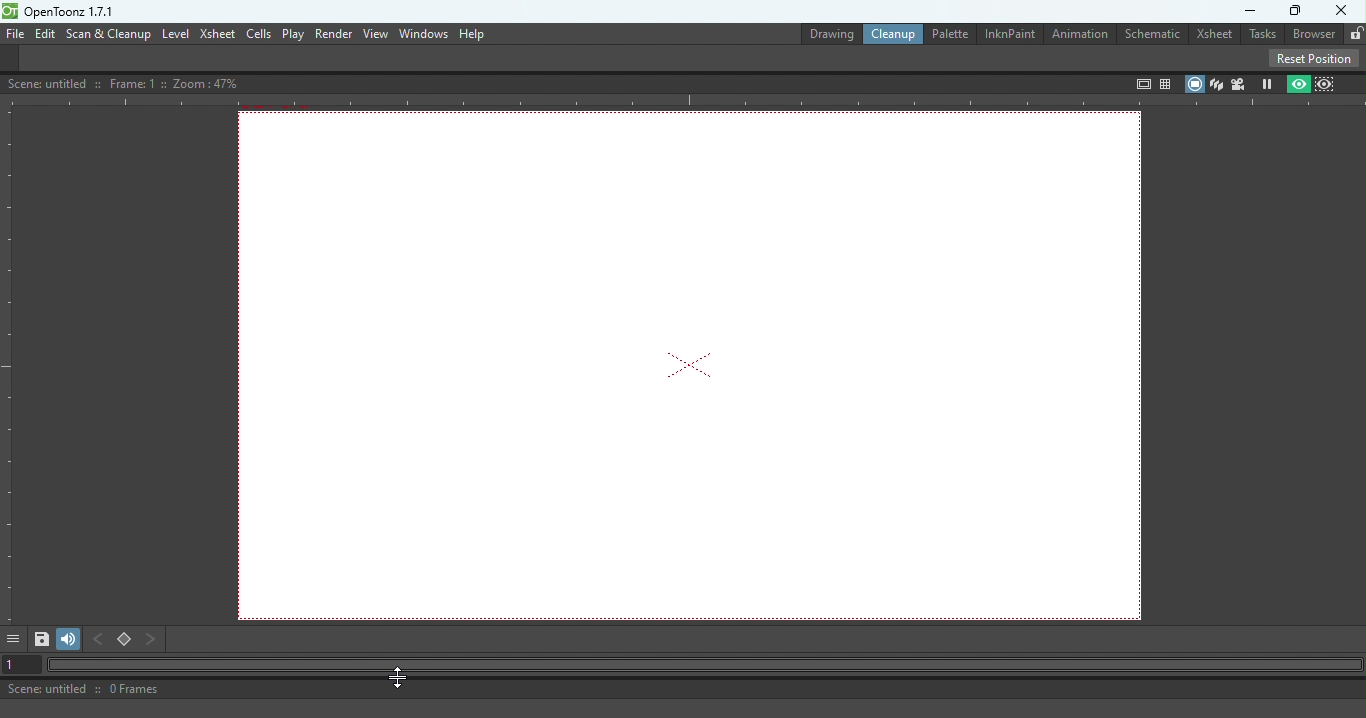 This screenshot has height=718, width=1366. Describe the element at coordinates (69, 639) in the screenshot. I see `Soundtrack` at that location.